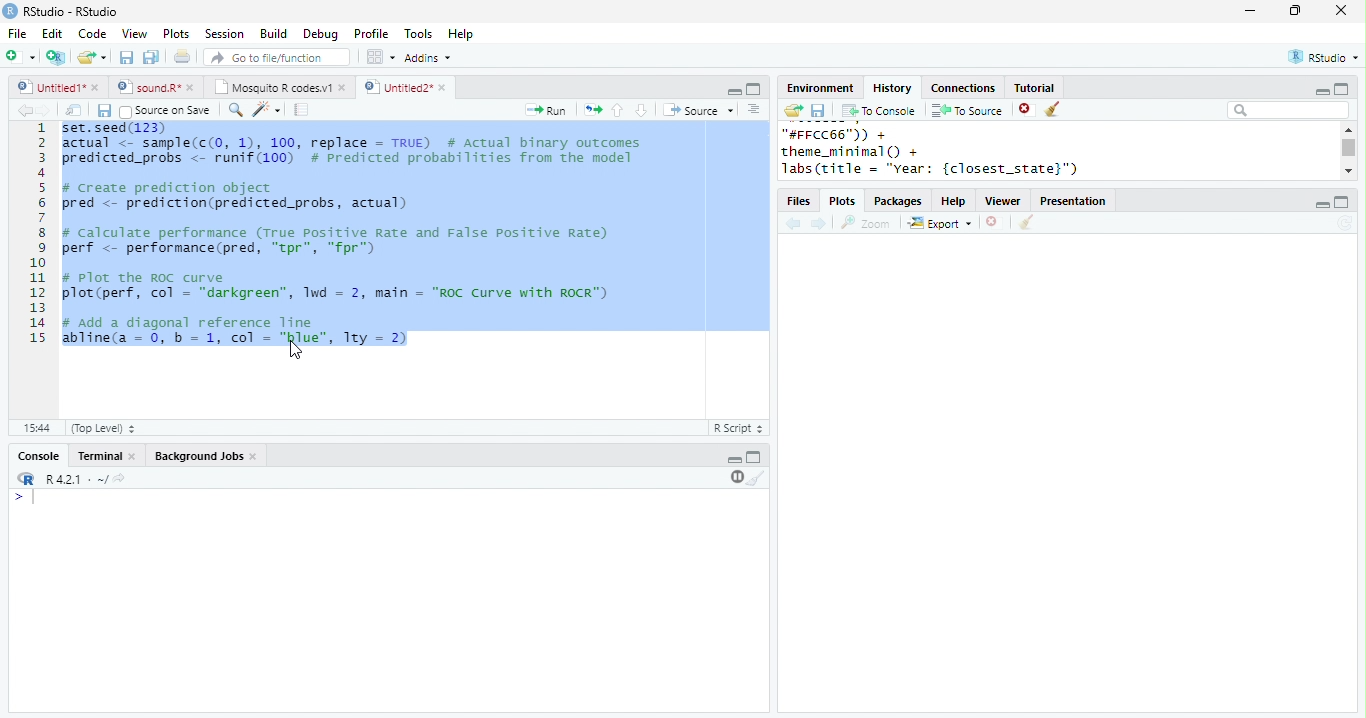 The width and height of the screenshot is (1366, 718). What do you see at coordinates (757, 477) in the screenshot?
I see `clear` at bounding box center [757, 477].